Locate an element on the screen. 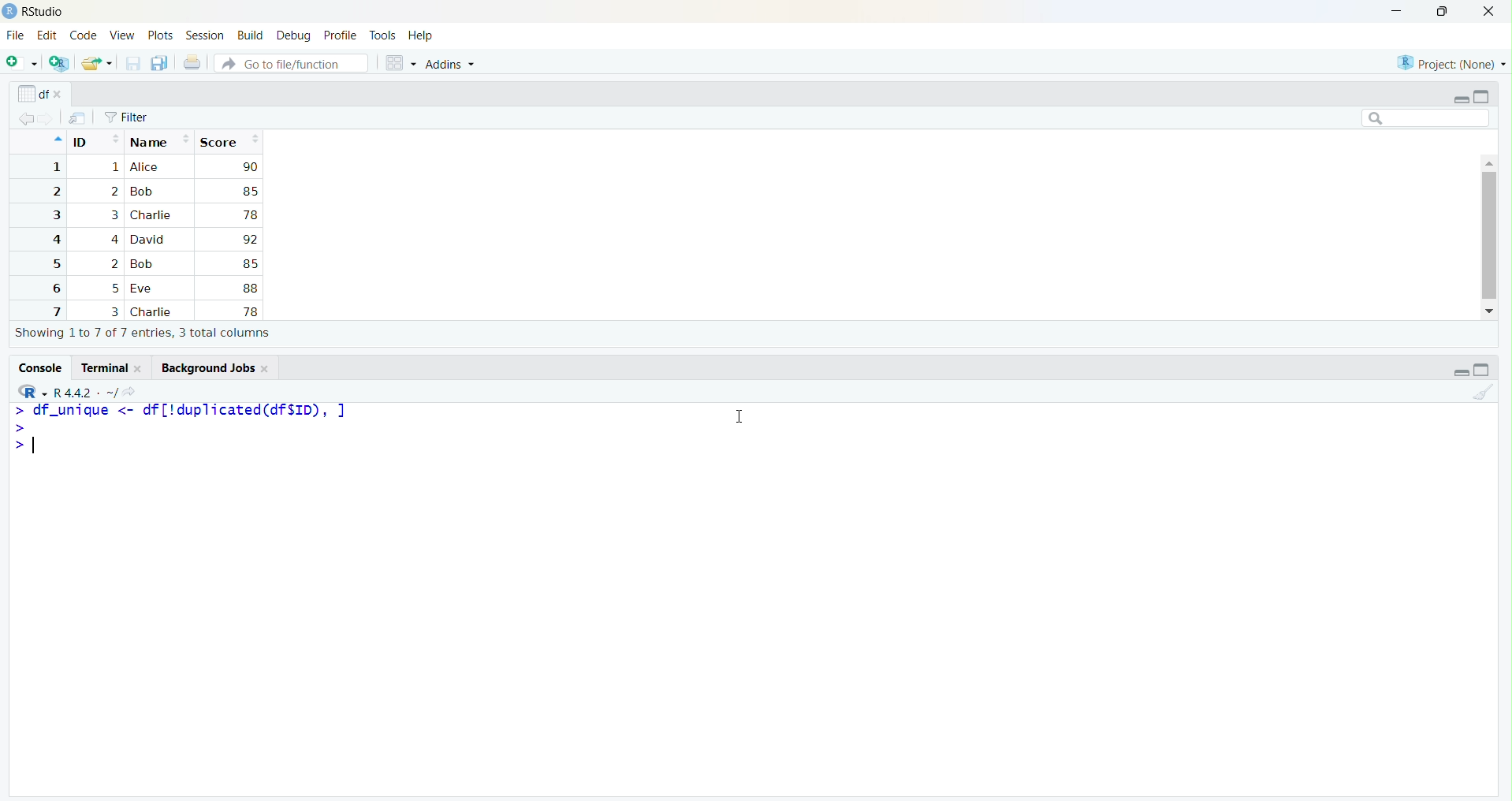  up is located at coordinates (56, 140).